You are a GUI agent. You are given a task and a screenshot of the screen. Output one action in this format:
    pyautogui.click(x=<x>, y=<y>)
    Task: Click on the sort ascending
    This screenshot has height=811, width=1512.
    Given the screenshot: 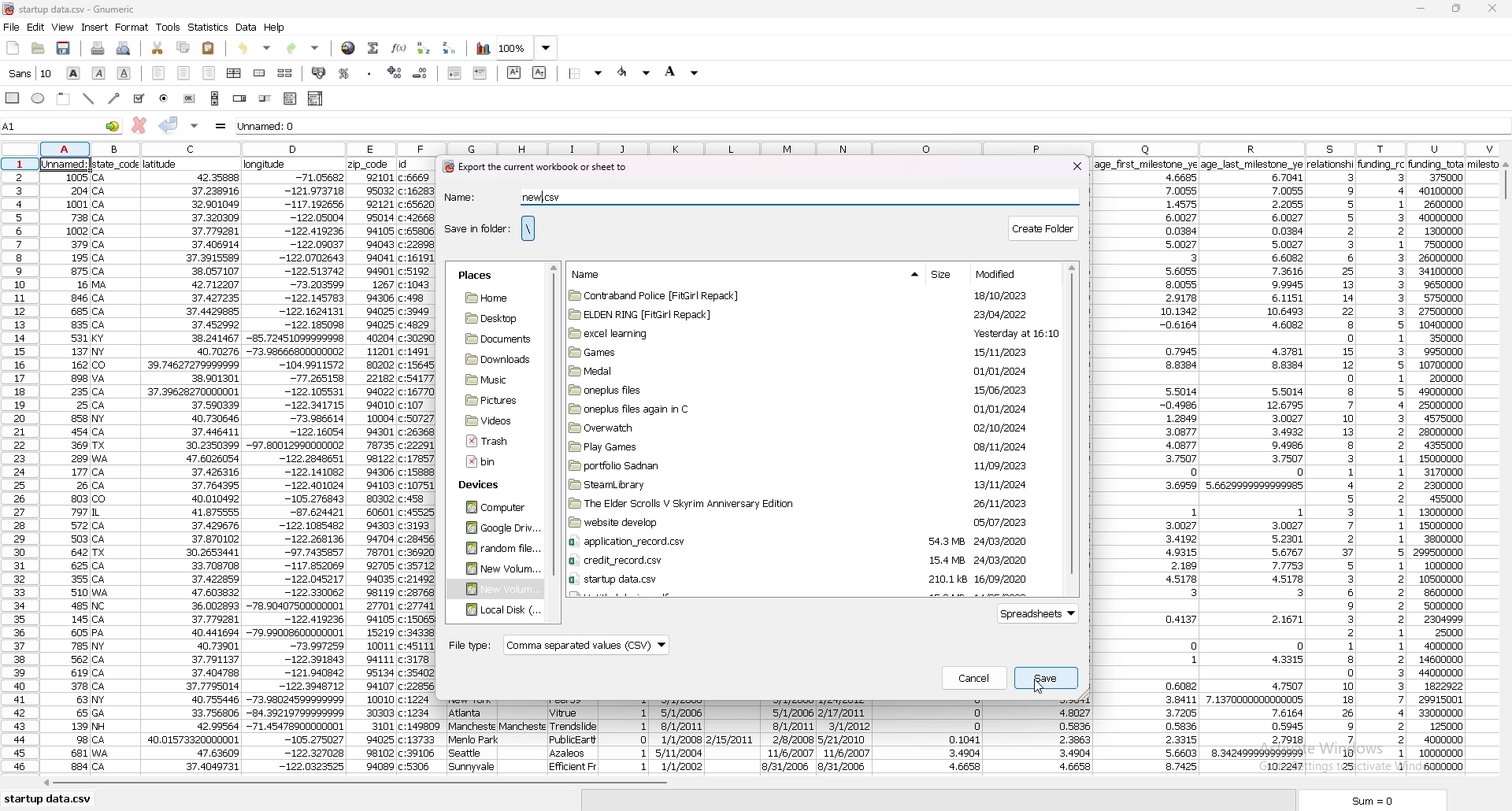 What is the action you would take?
    pyautogui.click(x=424, y=48)
    